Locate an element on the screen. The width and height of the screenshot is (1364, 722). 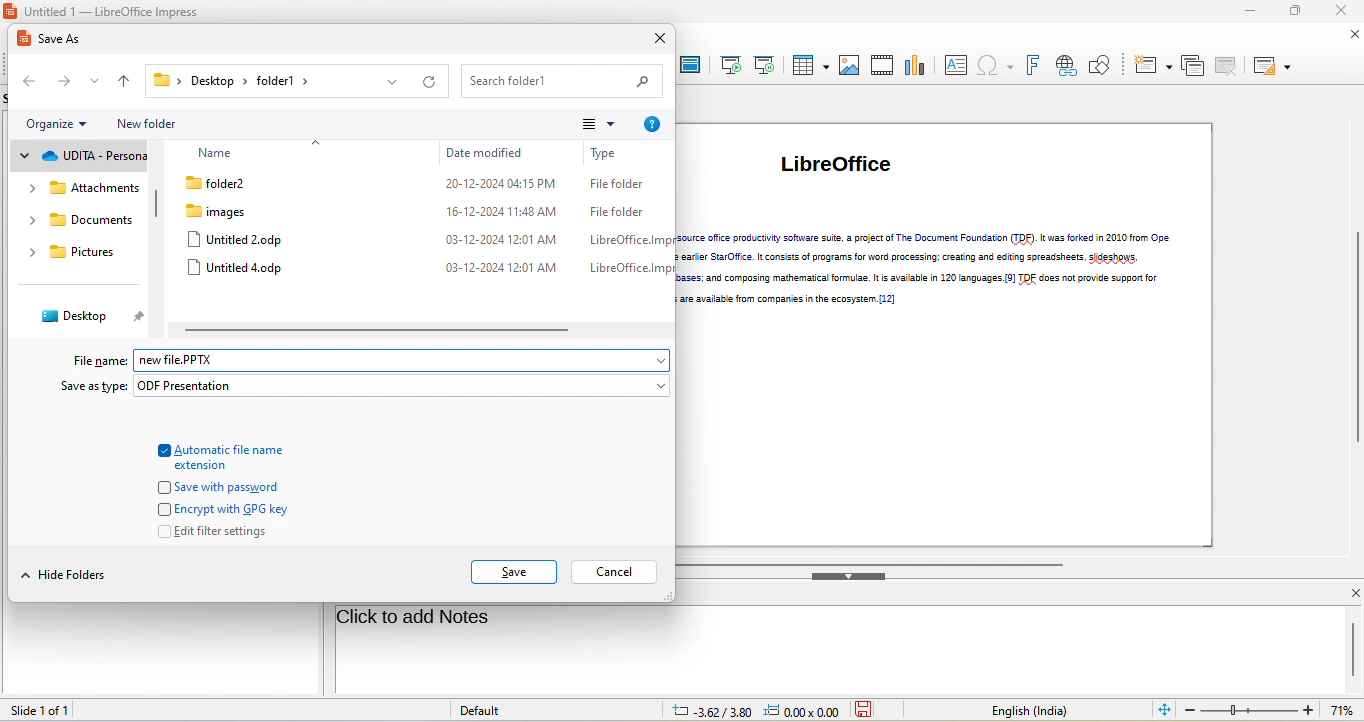
attachments is located at coordinates (79, 188).